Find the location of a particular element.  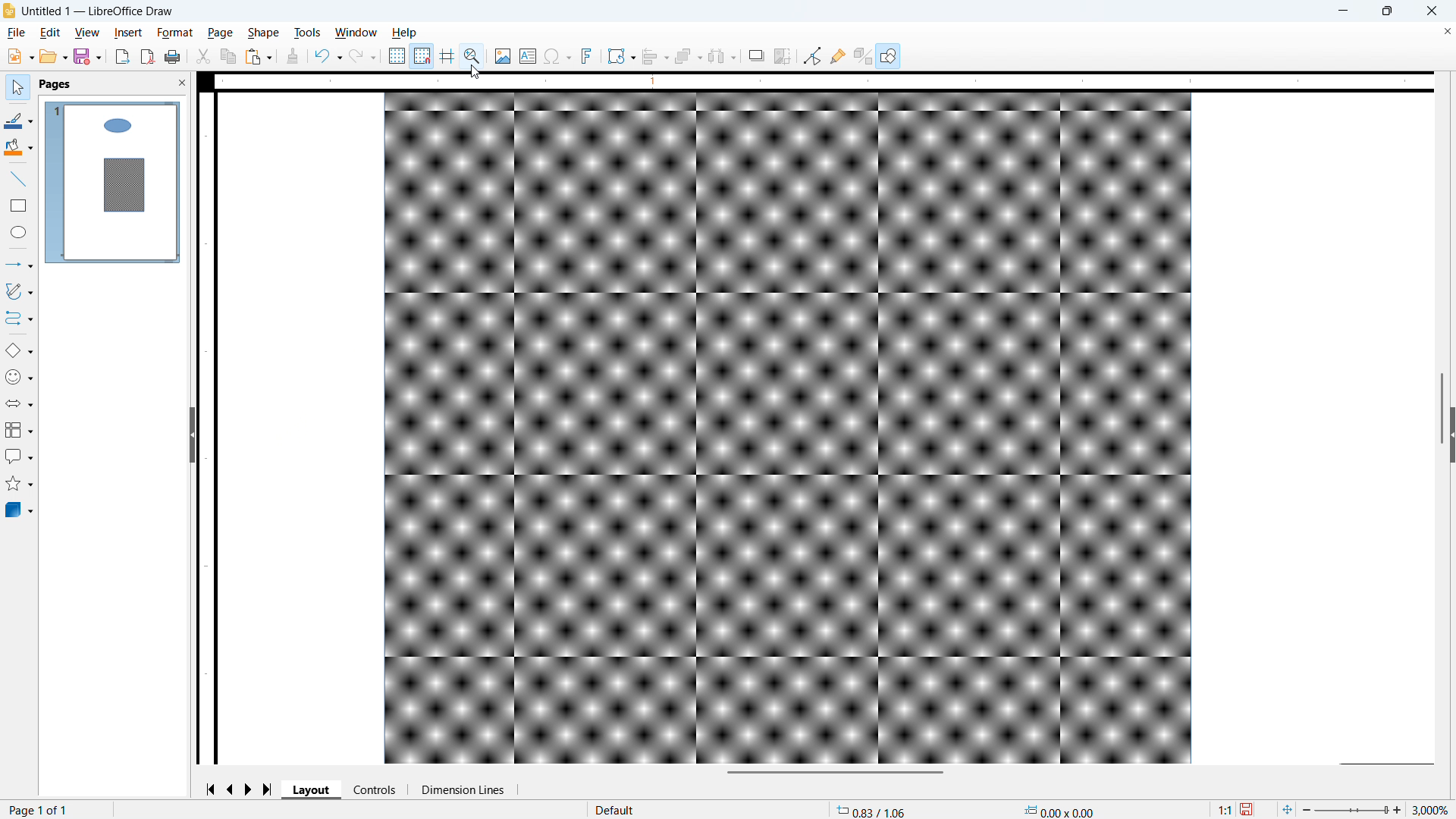

Vertical scroll bar  is located at coordinates (1441, 408).